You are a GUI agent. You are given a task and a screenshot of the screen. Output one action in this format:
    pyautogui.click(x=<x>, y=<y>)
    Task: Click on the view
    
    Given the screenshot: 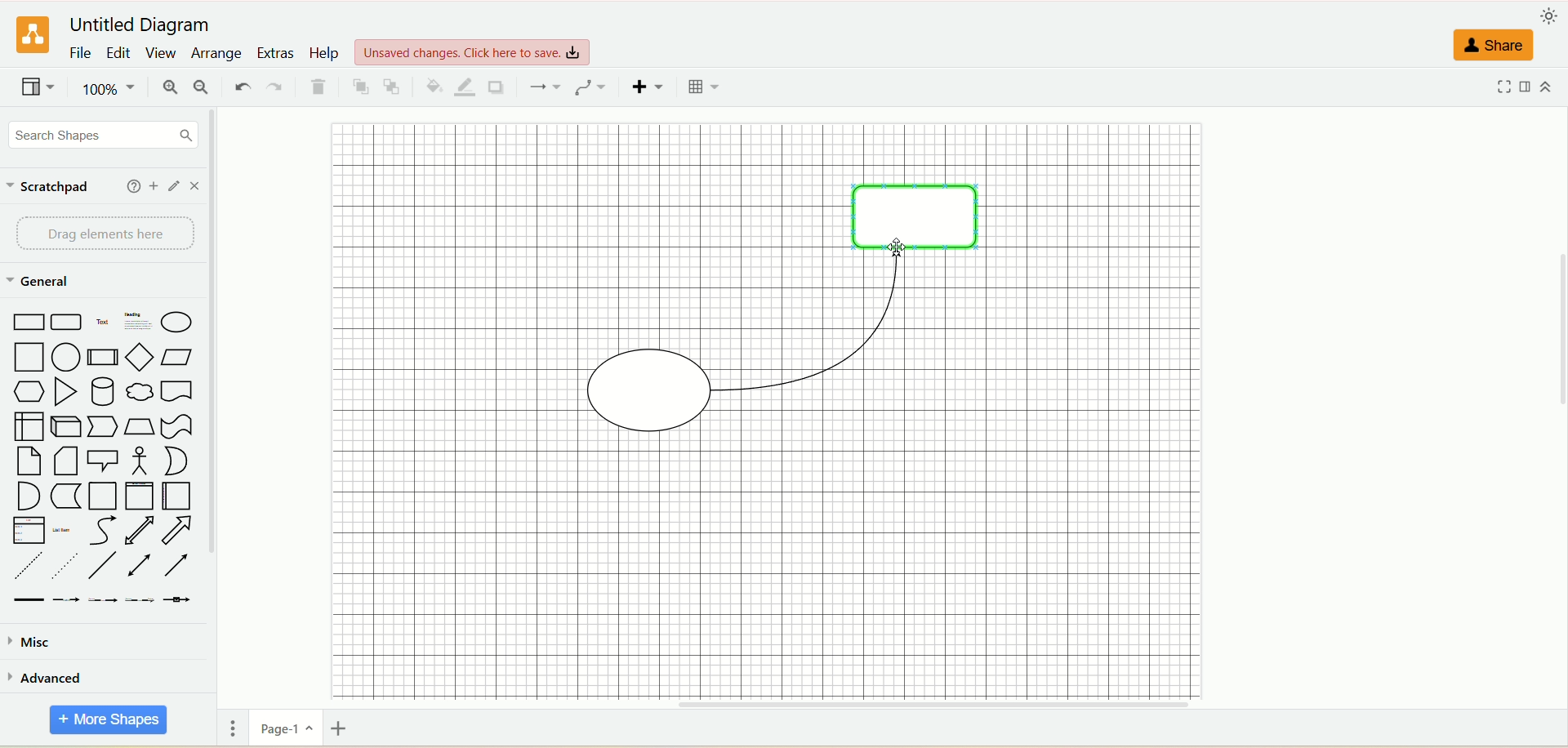 What is the action you would take?
    pyautogui.click(x=474, y=51)
    